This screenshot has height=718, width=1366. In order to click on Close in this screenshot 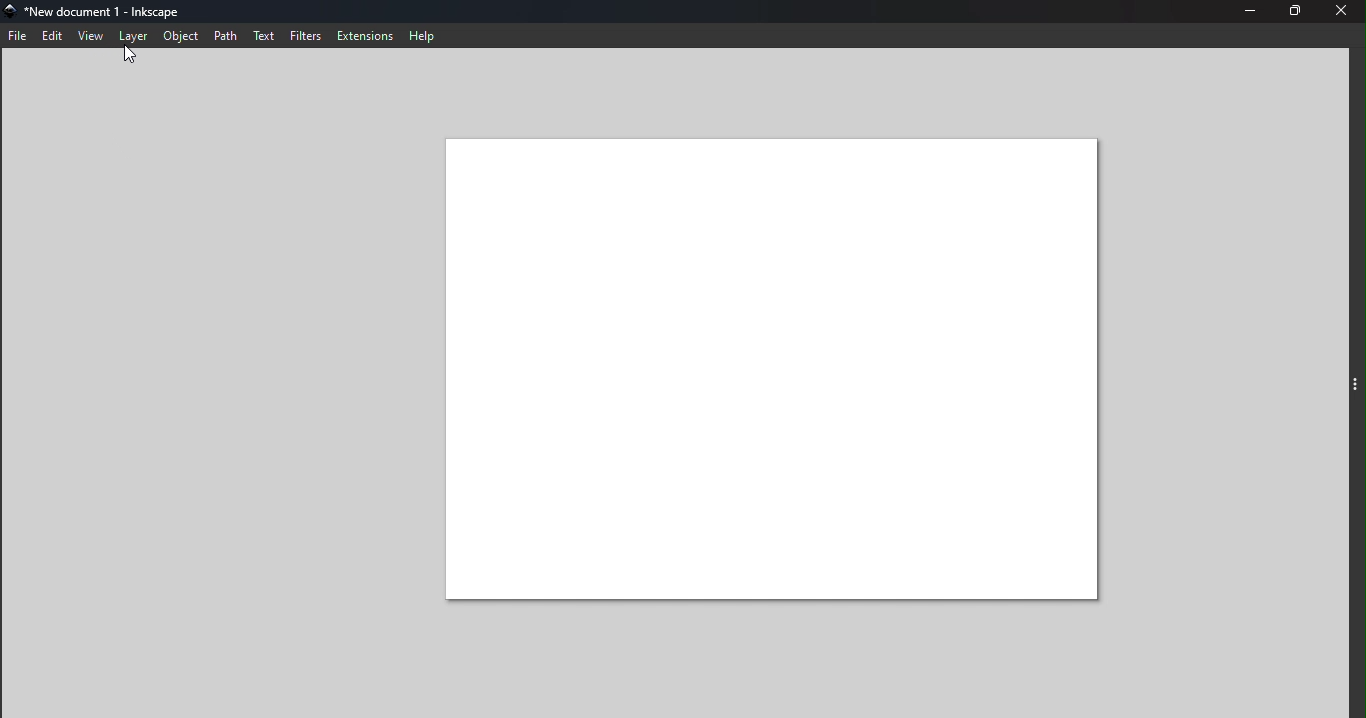, I will do `click(1347, 12)`.